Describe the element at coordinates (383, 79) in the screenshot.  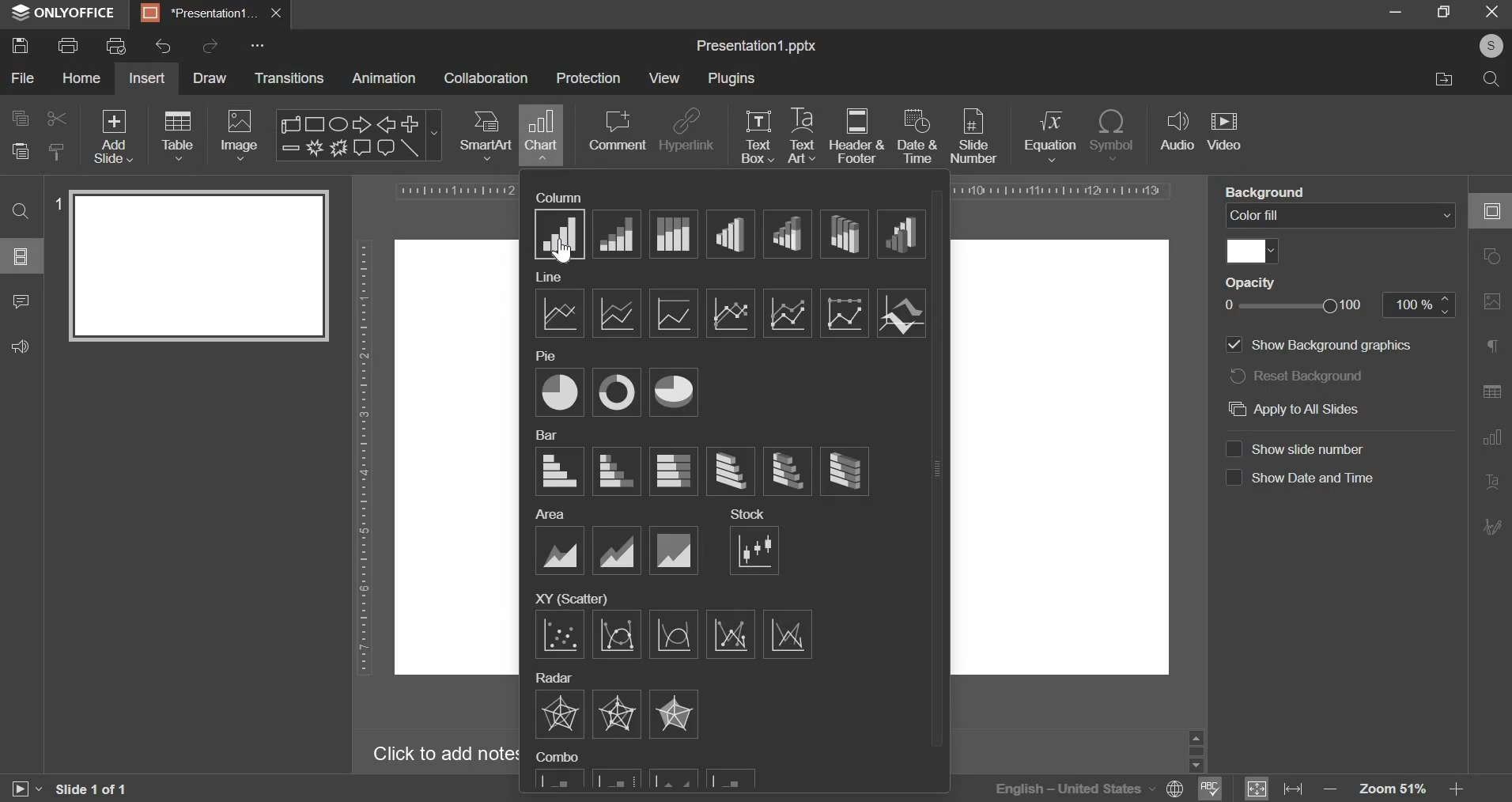
I see `animation` at that location.